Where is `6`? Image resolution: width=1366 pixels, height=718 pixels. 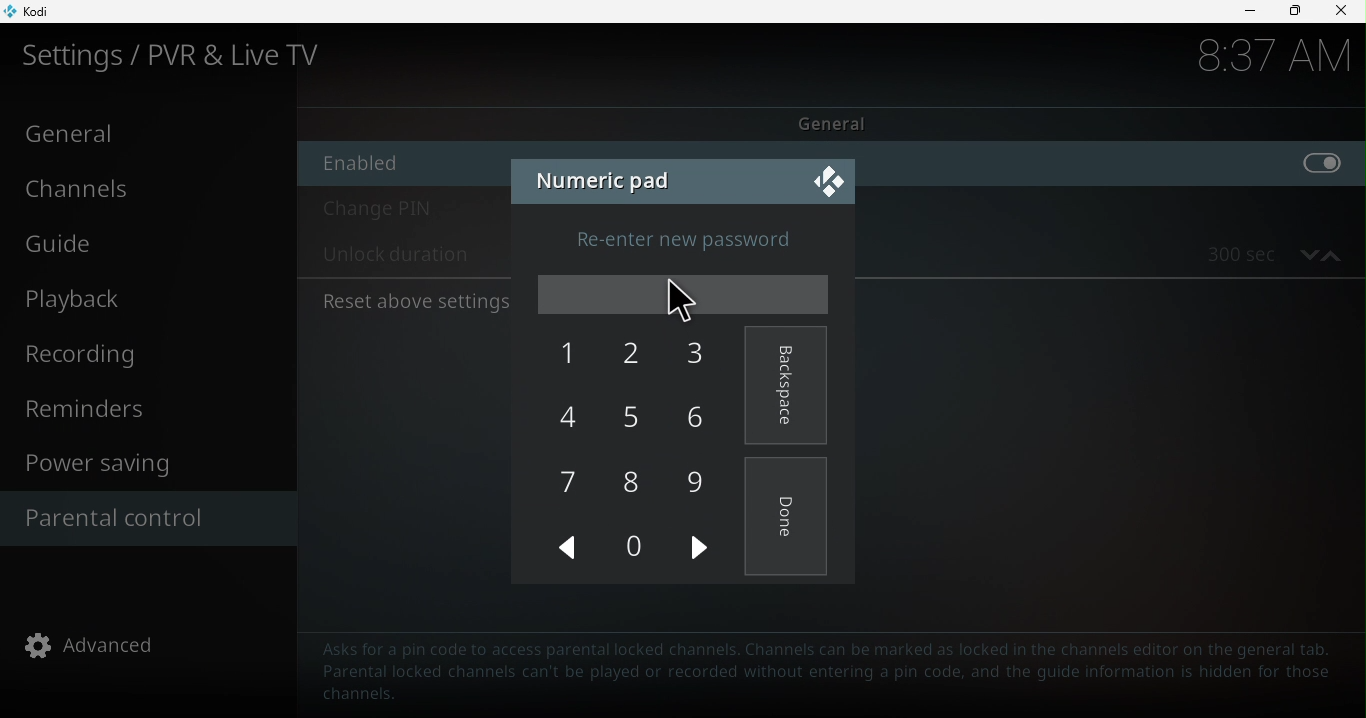
6 is located at coordinates (710, 416).